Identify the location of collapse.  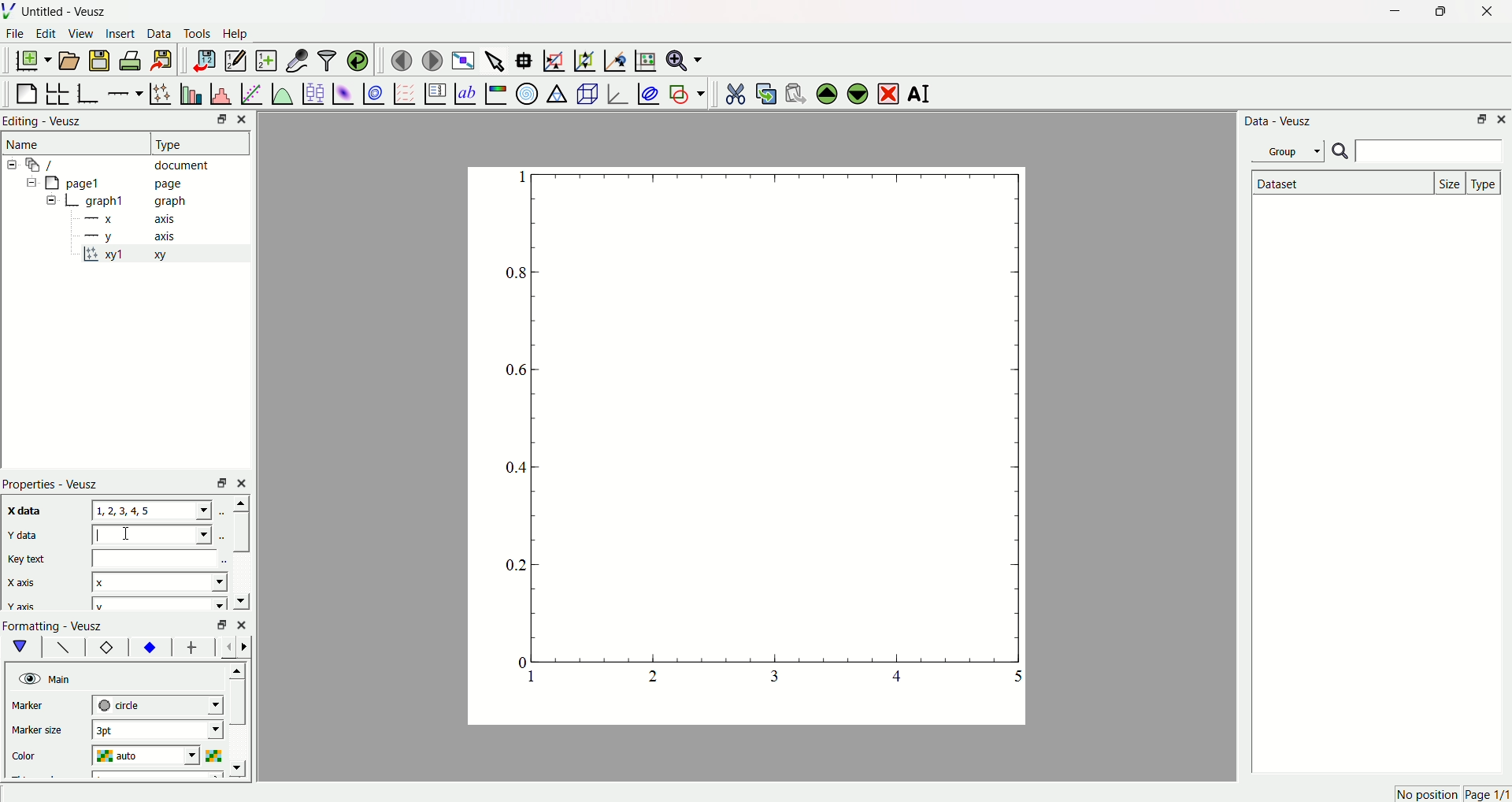
(14, 165).